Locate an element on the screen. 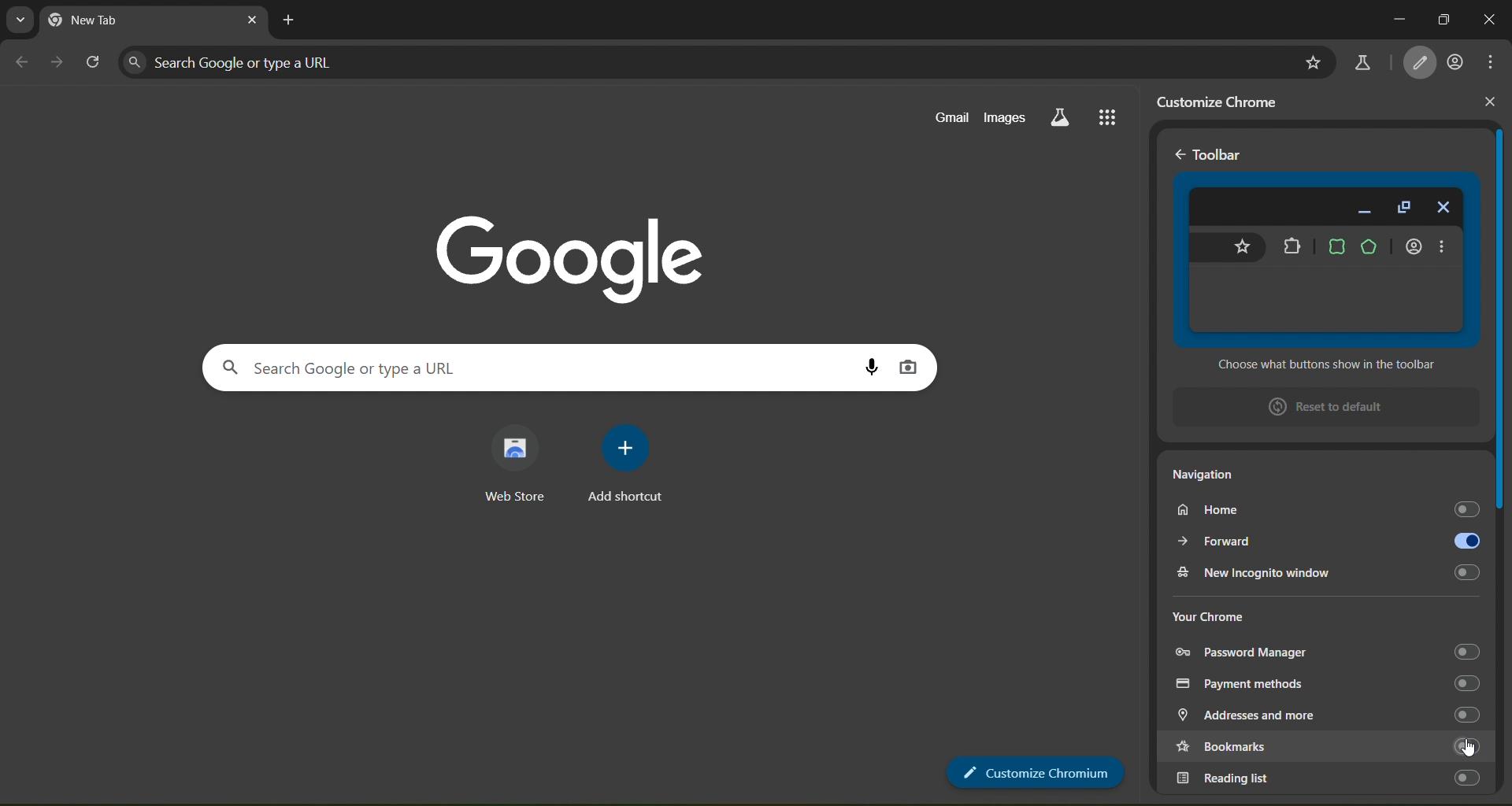 This screenshot has height=806, width=1512. addresses and more is located at coordinates (1323, 715).